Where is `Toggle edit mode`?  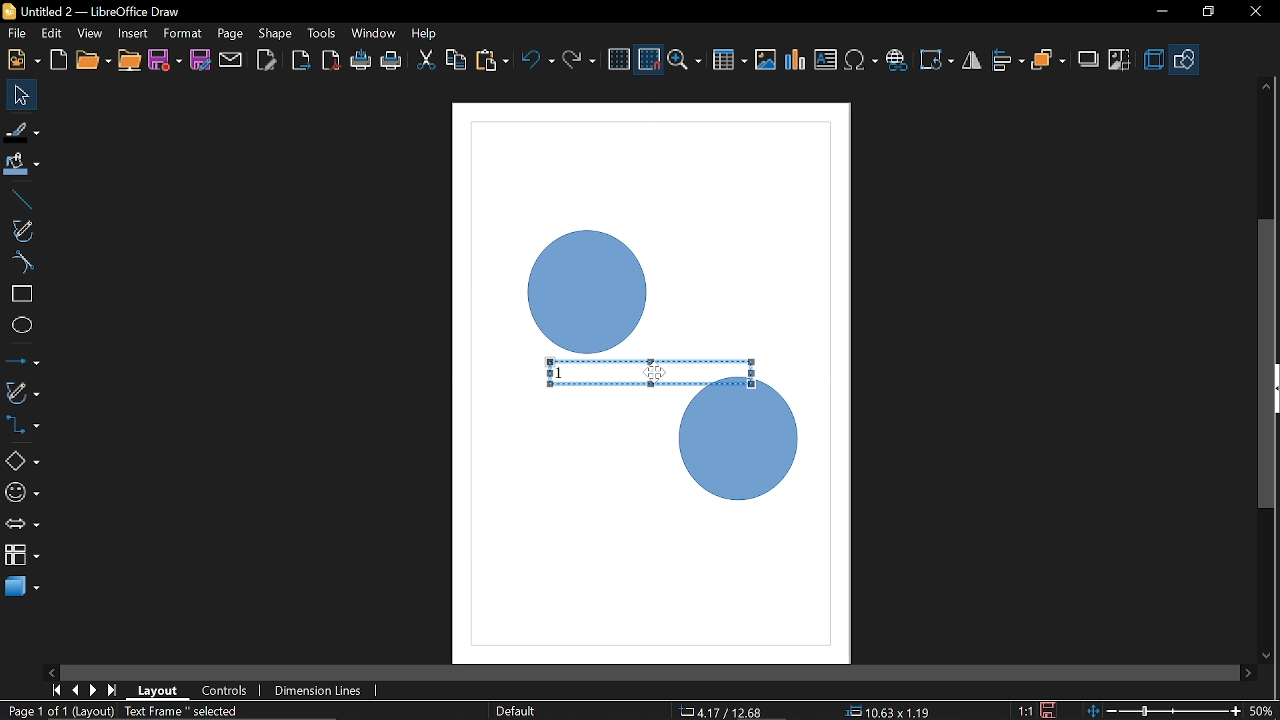 Toggle edit mode is located at coordinates (268, 59).